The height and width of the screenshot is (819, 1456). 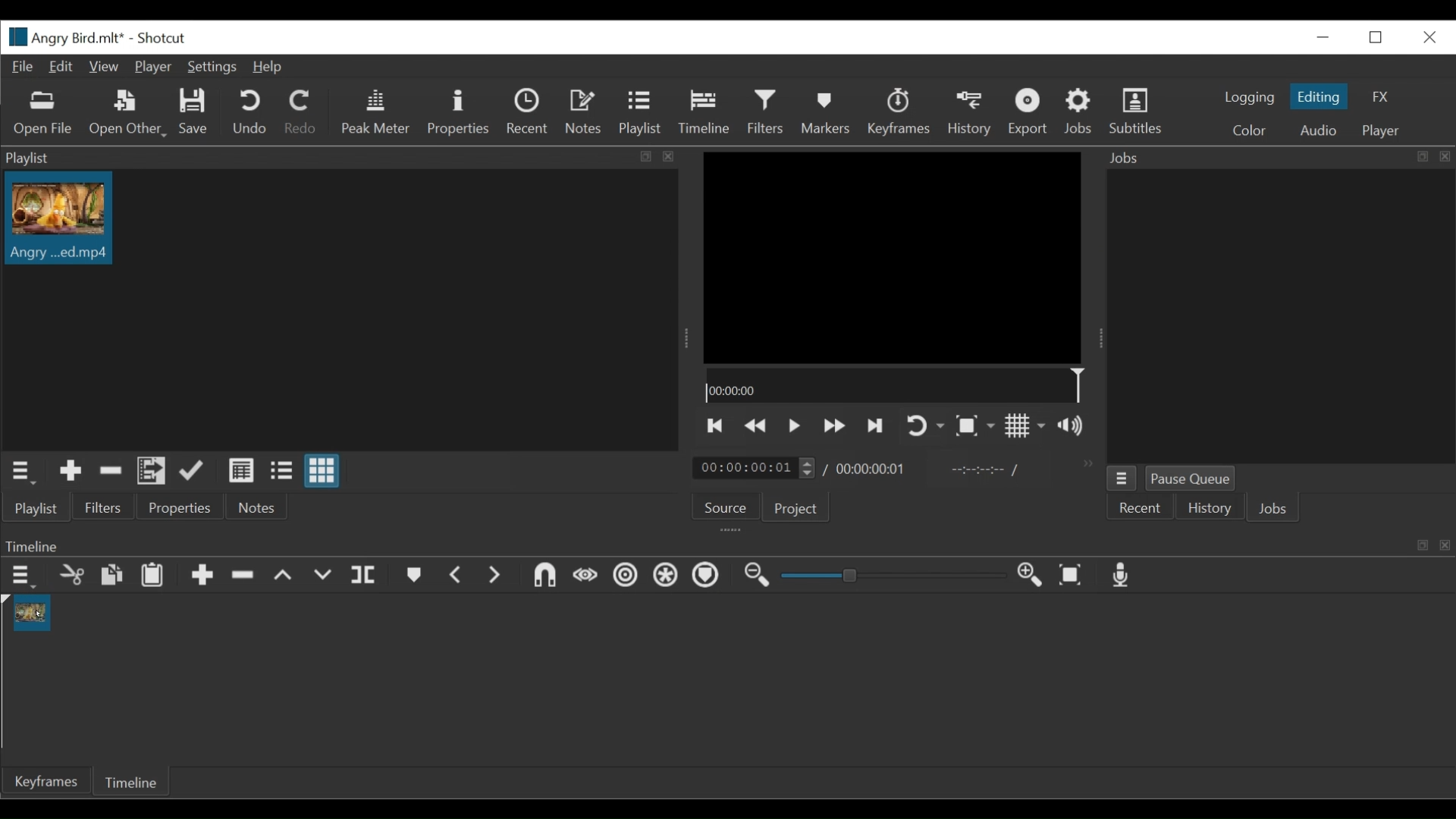 What do you see at coordinates (1319, 96) in the screenshot?
I see `Editing` at bounding box center [1319, 96].